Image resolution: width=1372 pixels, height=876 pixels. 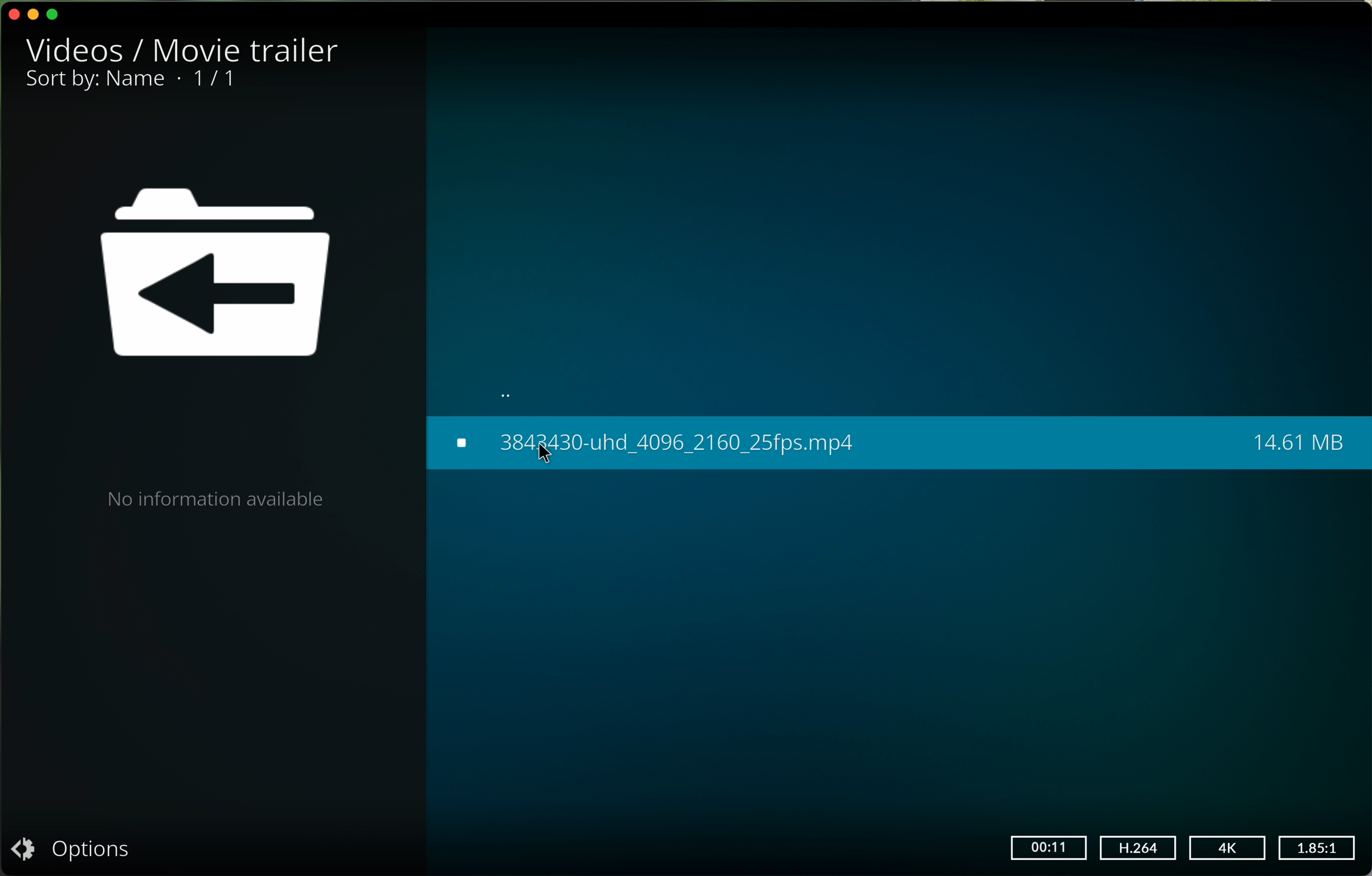 I want to click on 1.85:1, so click(x=1316, y=846).